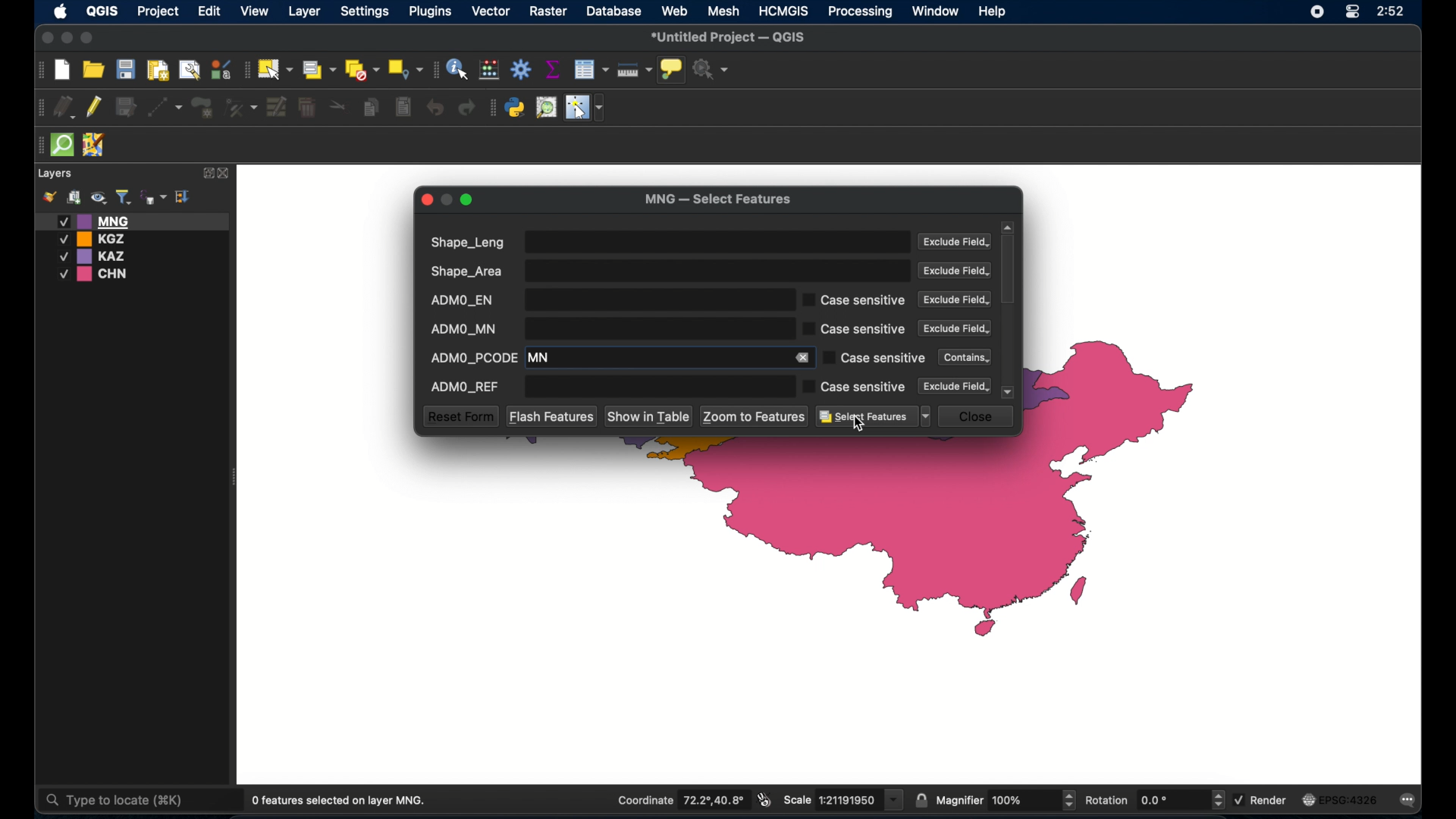 This screenshot has height=819, width=1456. What do you see at coordinates (38, 71) in the screenshot?
I see `project toolbar` at bounding box center [38, 71].